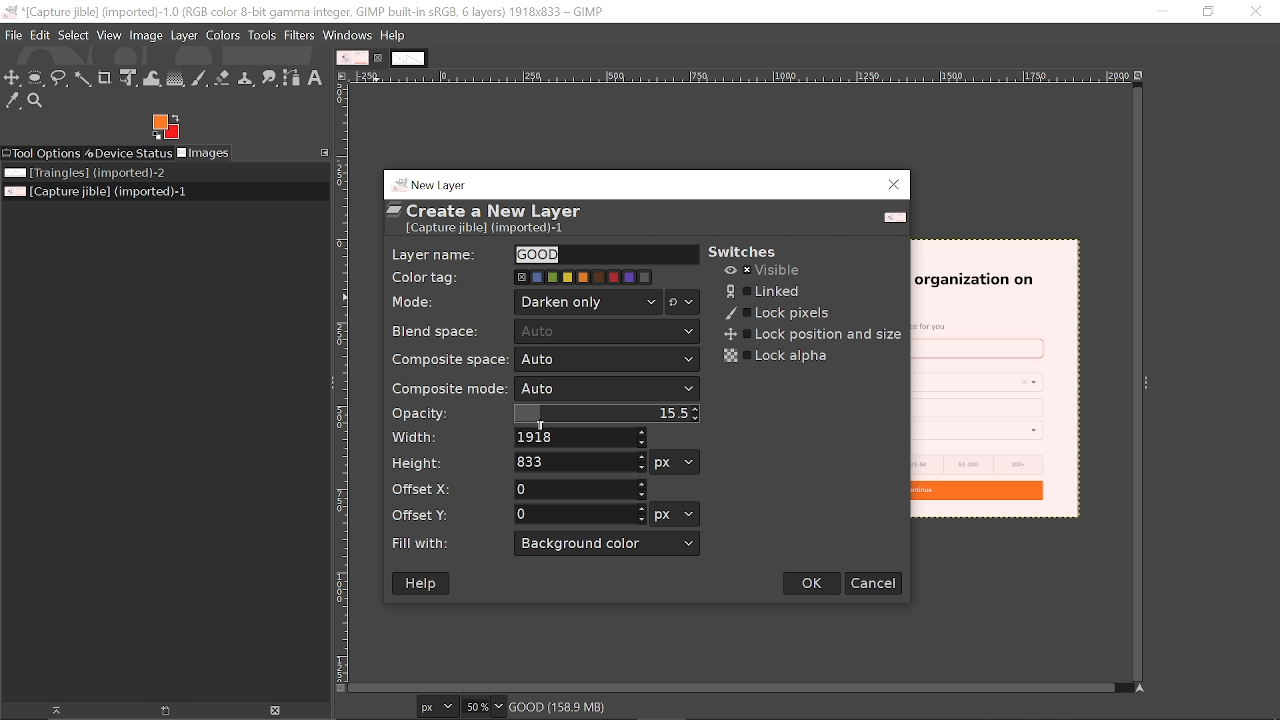 This screenshot has width=1280, height=720. What do you see at coordinates (185, 35) in the screenshot?
I see `Layer` at bounding box center [185, 35].